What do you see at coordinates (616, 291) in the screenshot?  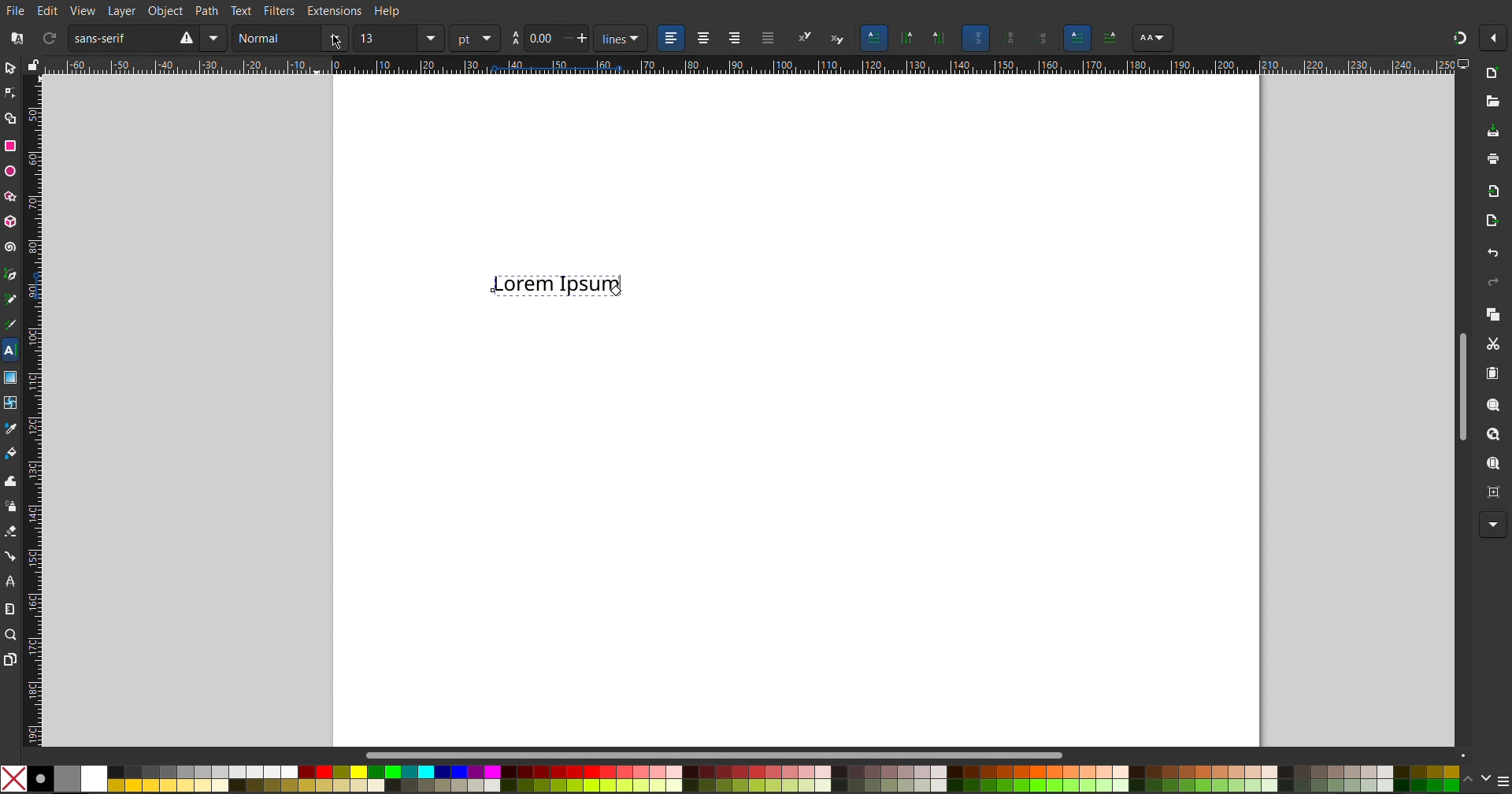 I see `Cursor` at bounding box center [616, 291].